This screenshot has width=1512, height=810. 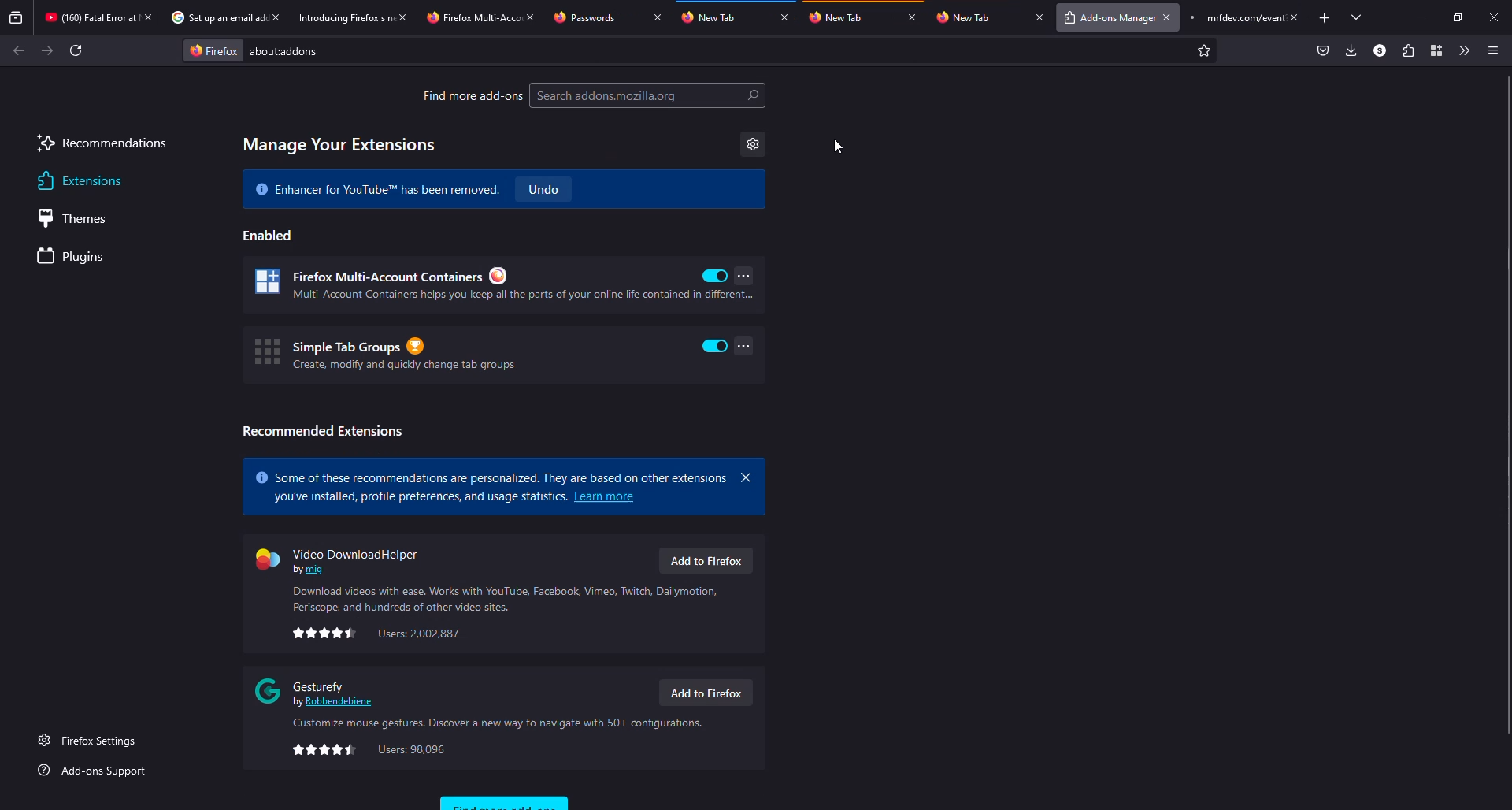 I want to click on add, so click(x=1325, y=18).